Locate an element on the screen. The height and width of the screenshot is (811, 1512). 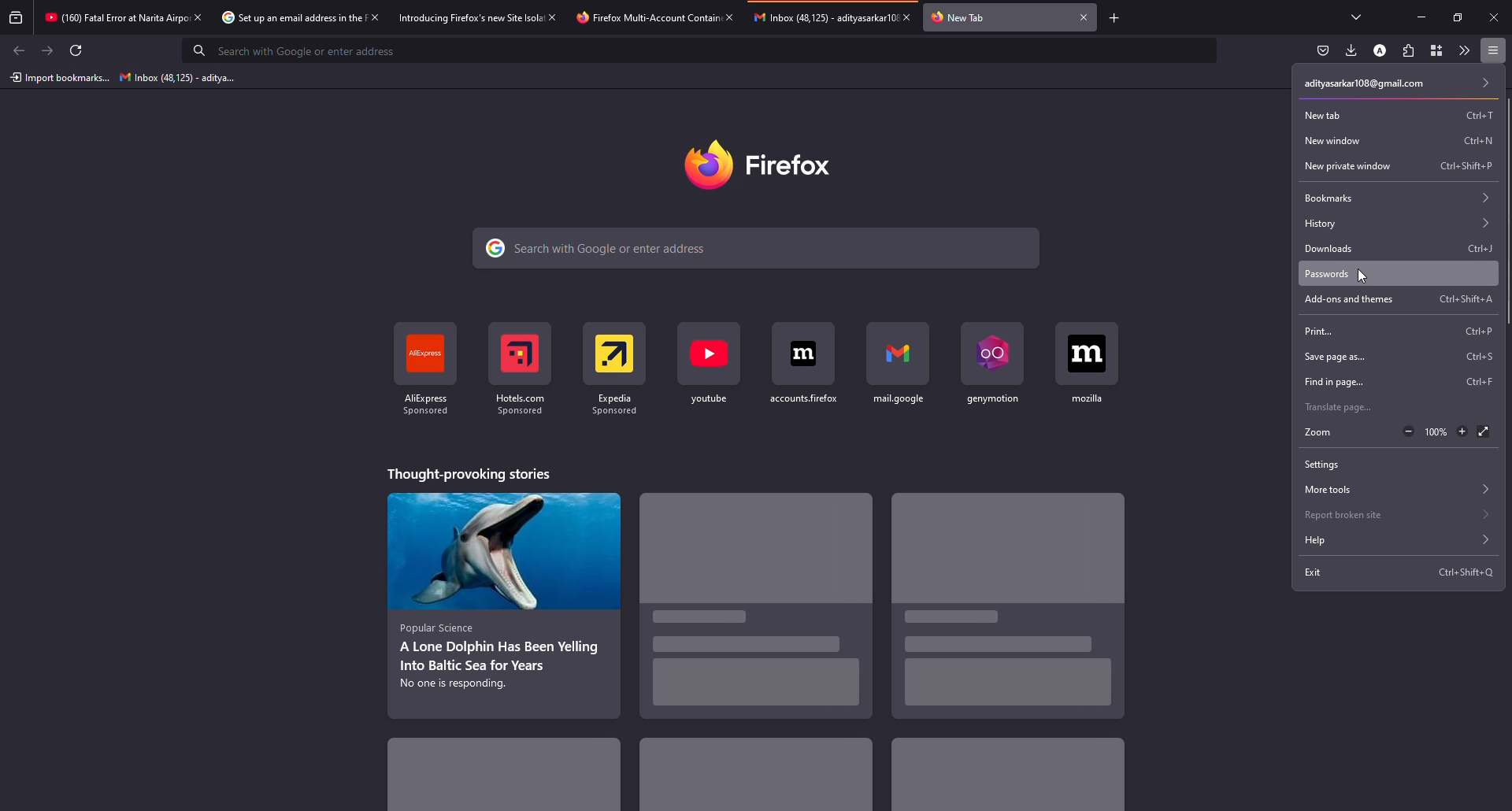
inbox is located at coordinates (172, 78).